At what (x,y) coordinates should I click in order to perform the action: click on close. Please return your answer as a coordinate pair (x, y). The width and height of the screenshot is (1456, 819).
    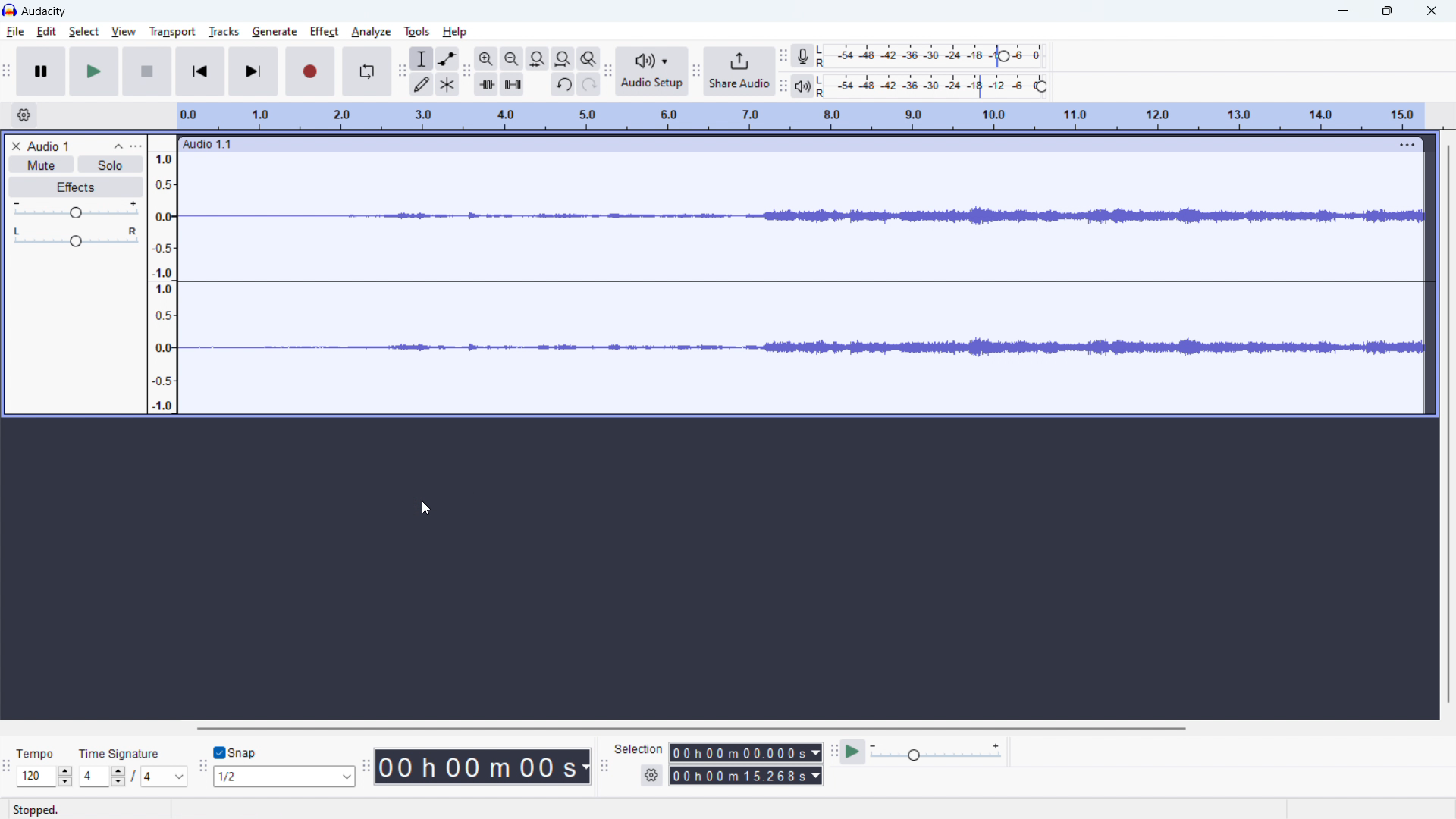
    Looking at the image, I should click on (1431, 10).